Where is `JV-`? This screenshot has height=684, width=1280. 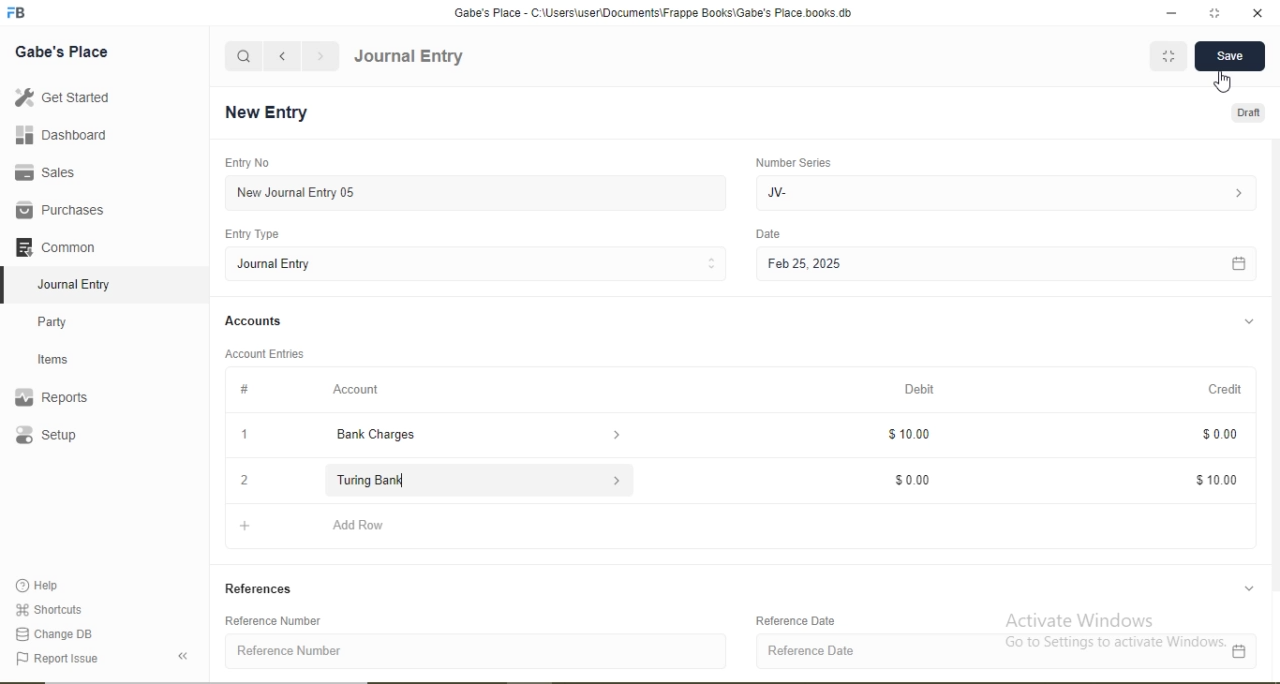 JV- is located at coordinates (1003, 191).